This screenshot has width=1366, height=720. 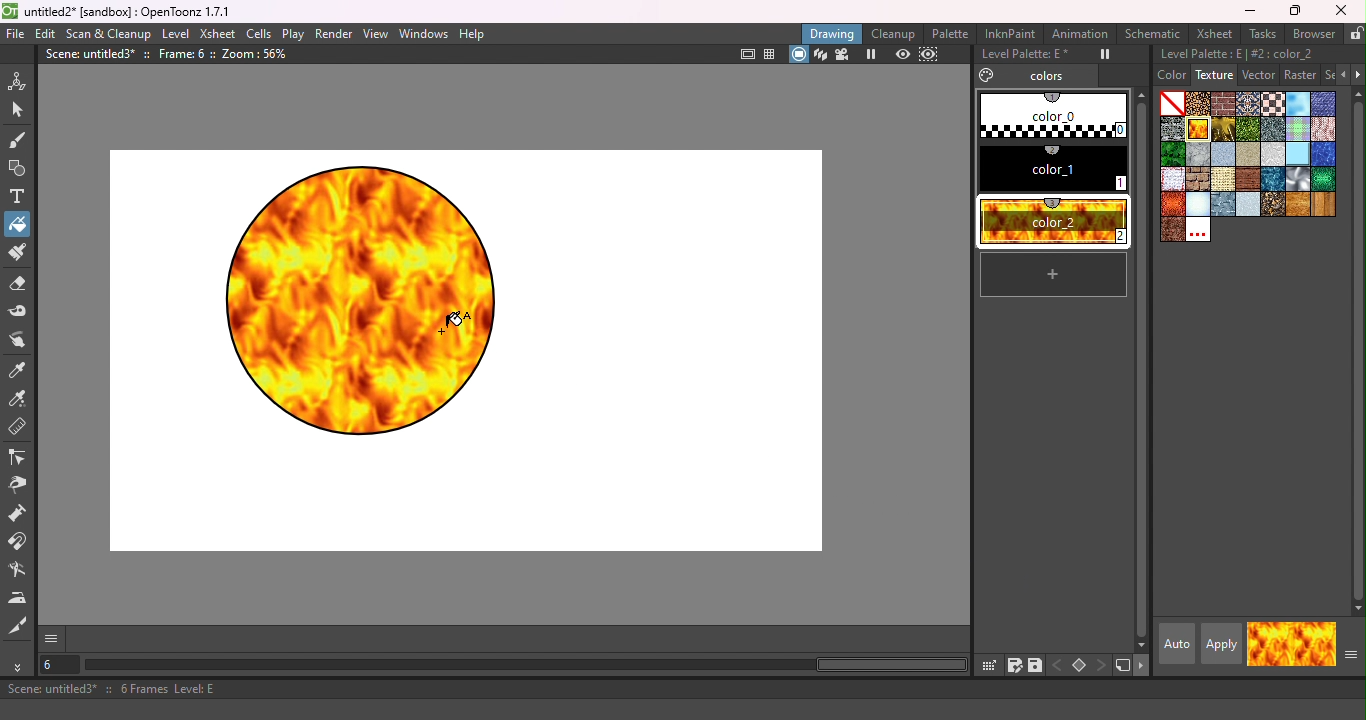 I want to click on Scan & Clenaup, so click(x=110, y=34).